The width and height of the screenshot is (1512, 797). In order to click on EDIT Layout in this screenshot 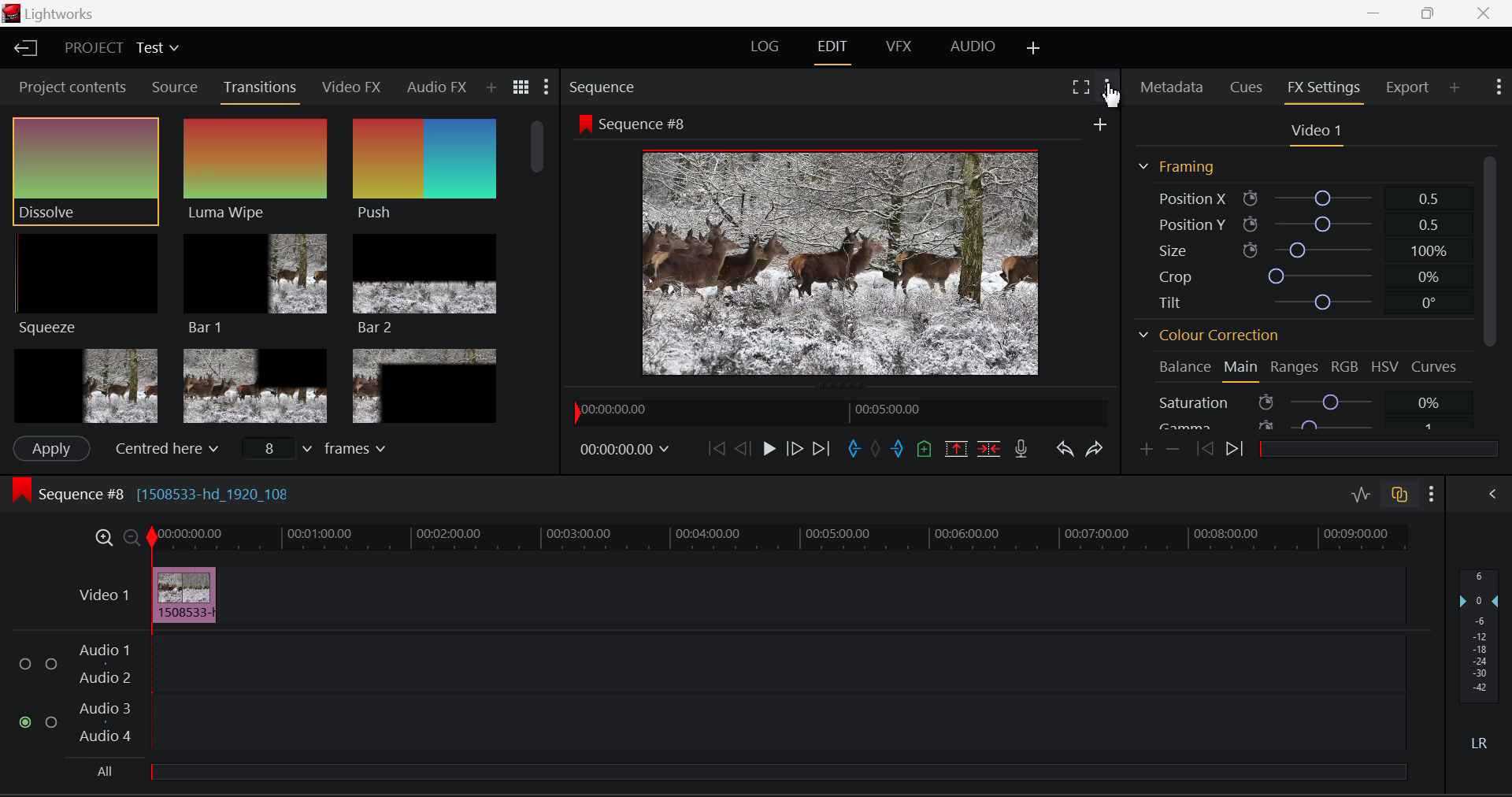, I will do `click(832, 50)`.